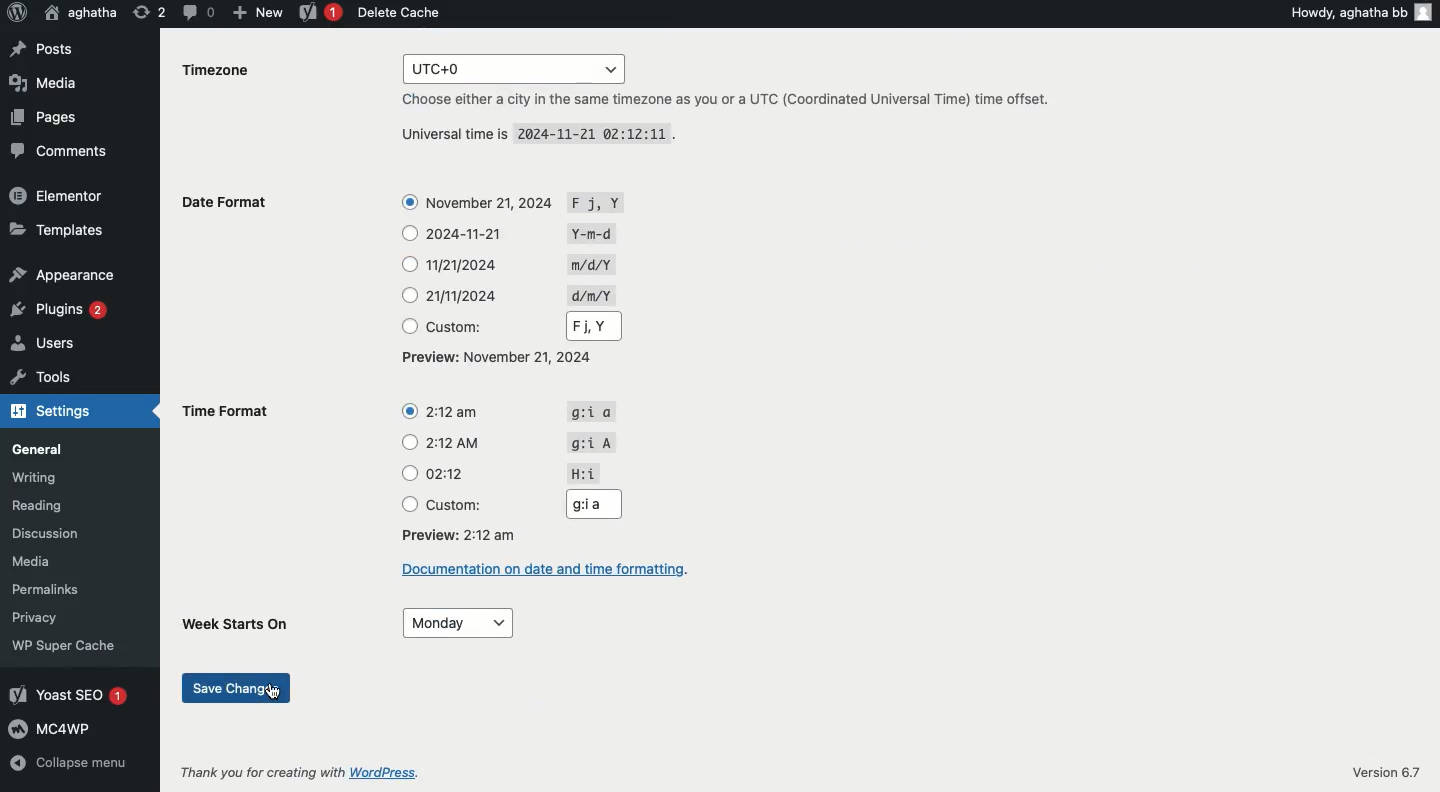 The image size is (1440, 792). I want to click on Version 6.7, so click(1383, 768).